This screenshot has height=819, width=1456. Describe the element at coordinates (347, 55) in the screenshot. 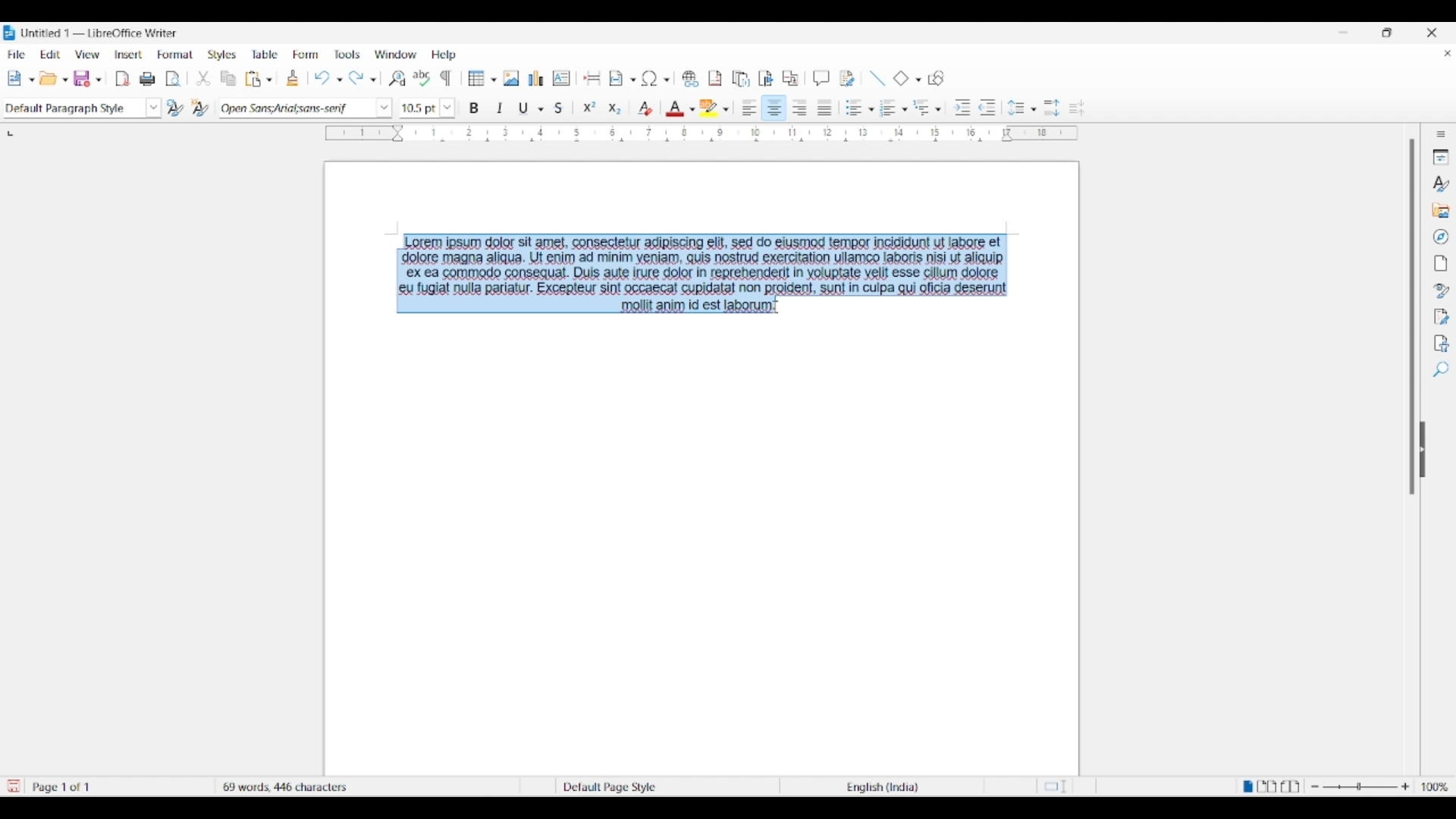

I see `Tools` at that location.